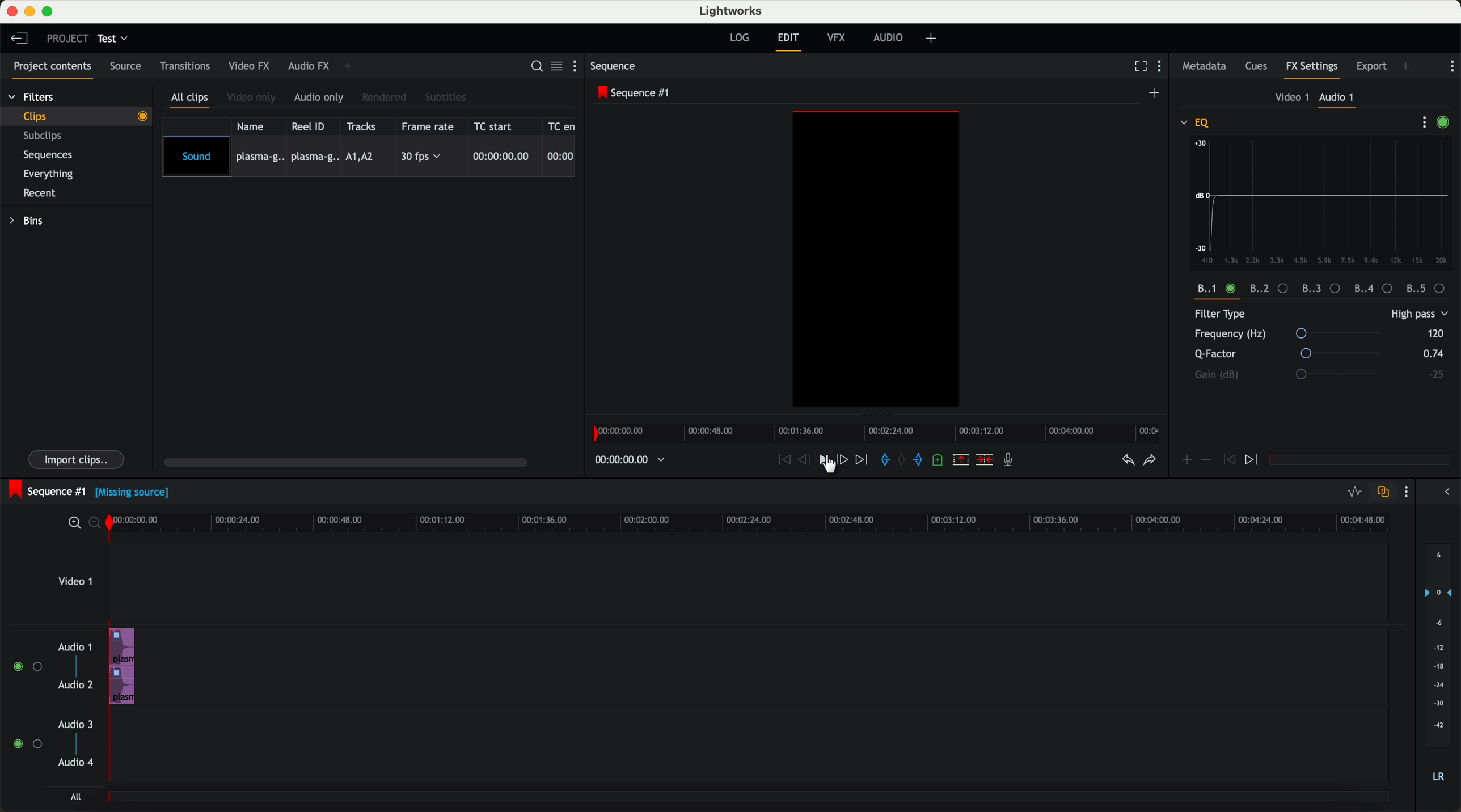 The height and width of the screenshot is (812, 1461). I want to click on Filters tab, so click(31, 99).